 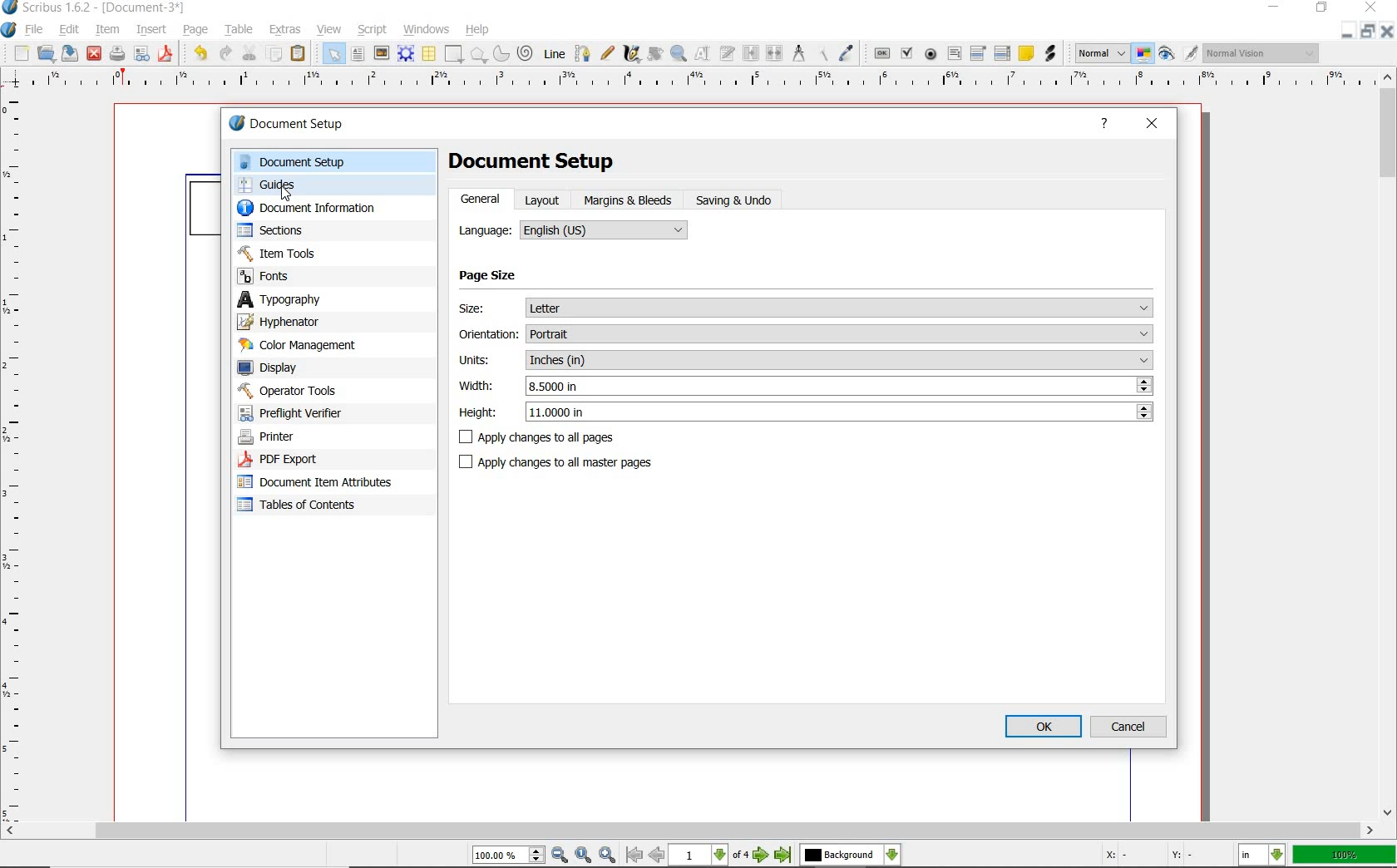 What do you see at coordinates (19, 460) in the screenshot?
I see `ruler` at bounding box center [19, 460].